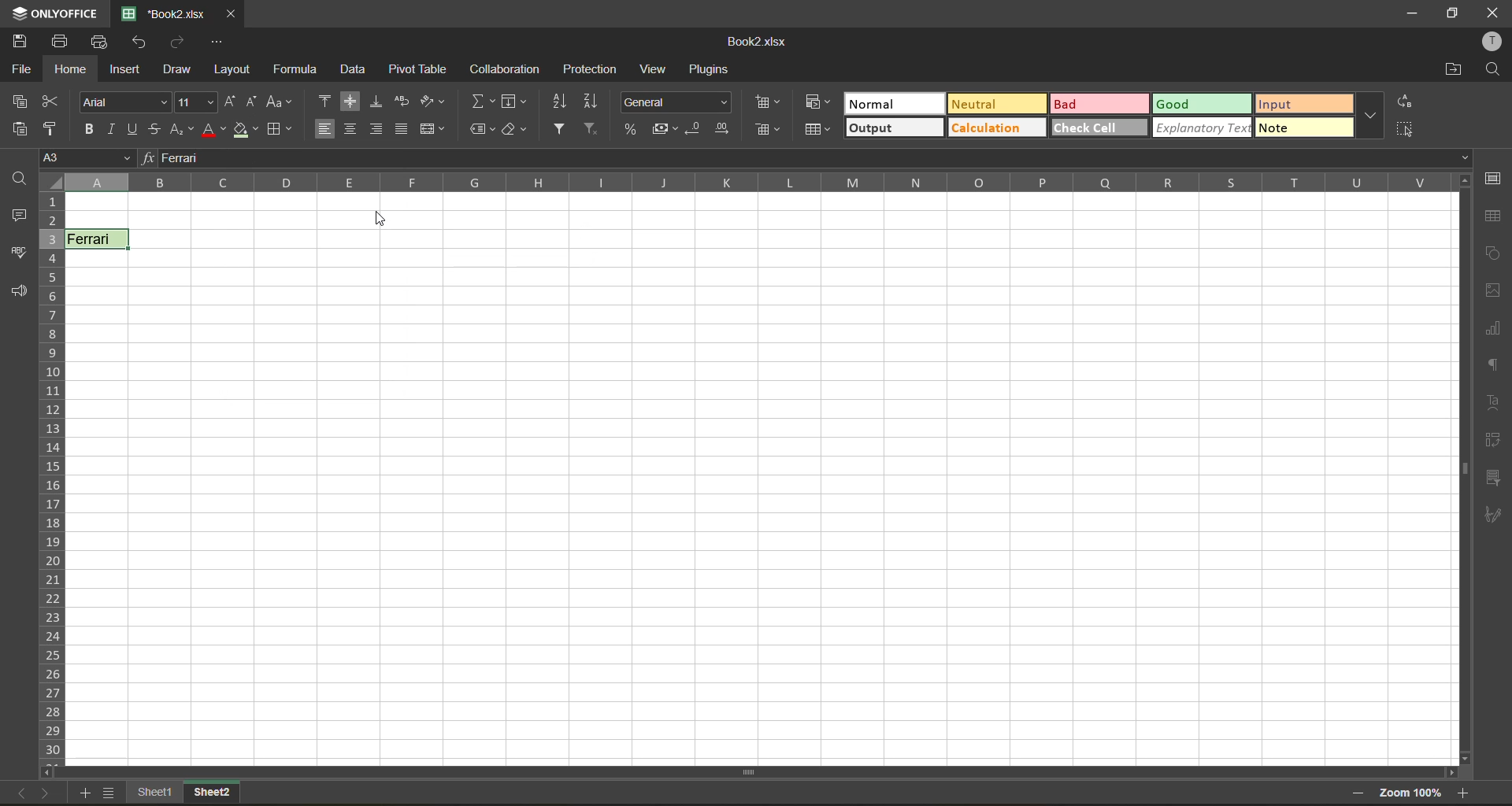 This screenshot has height=806, width=1512. Describe the element at coordinates (748, 182) in the screenshot. I see `column names` at that location.